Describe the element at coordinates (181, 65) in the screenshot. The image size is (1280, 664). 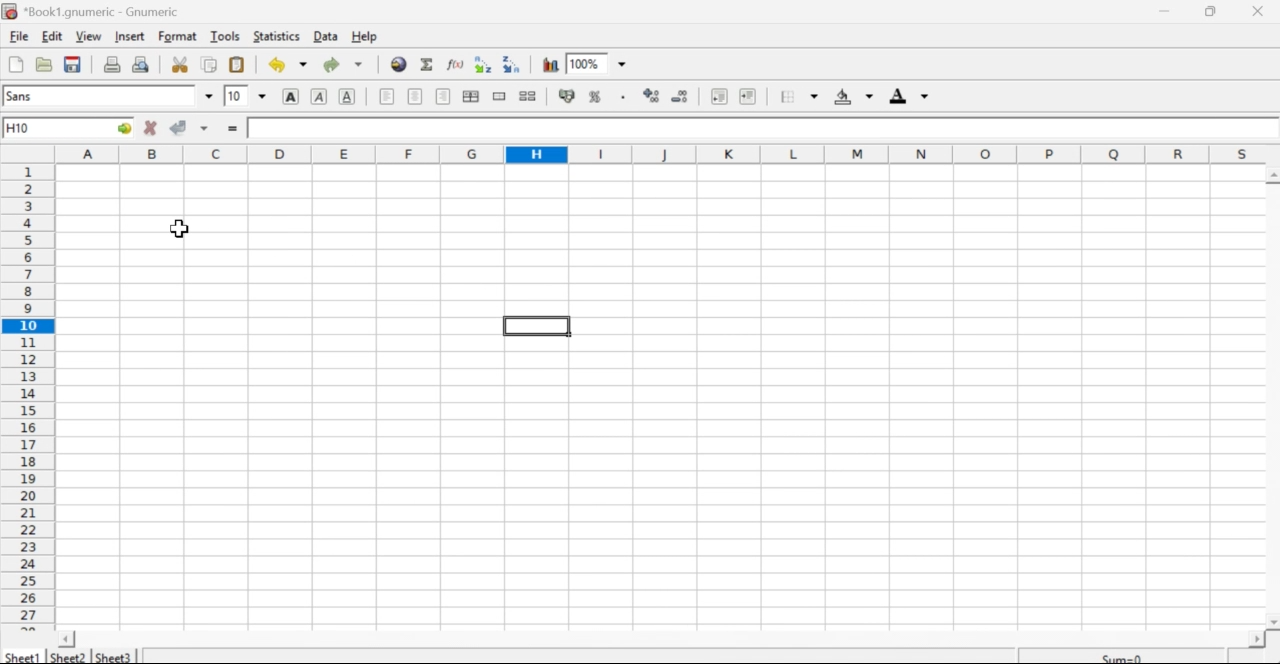
I see `Cut` at that location.